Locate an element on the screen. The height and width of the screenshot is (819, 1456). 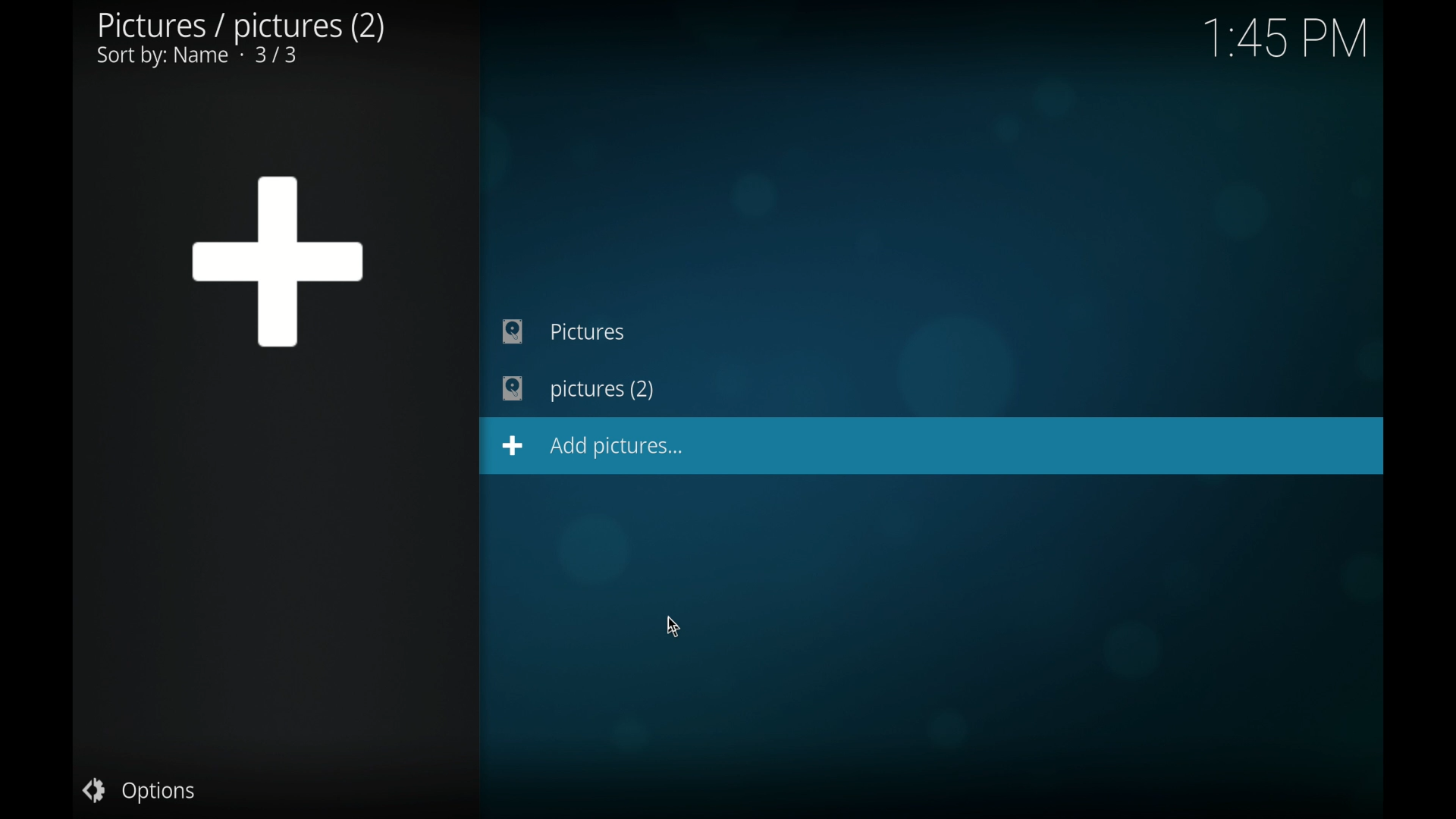
options is located at coordinates (140, 790).